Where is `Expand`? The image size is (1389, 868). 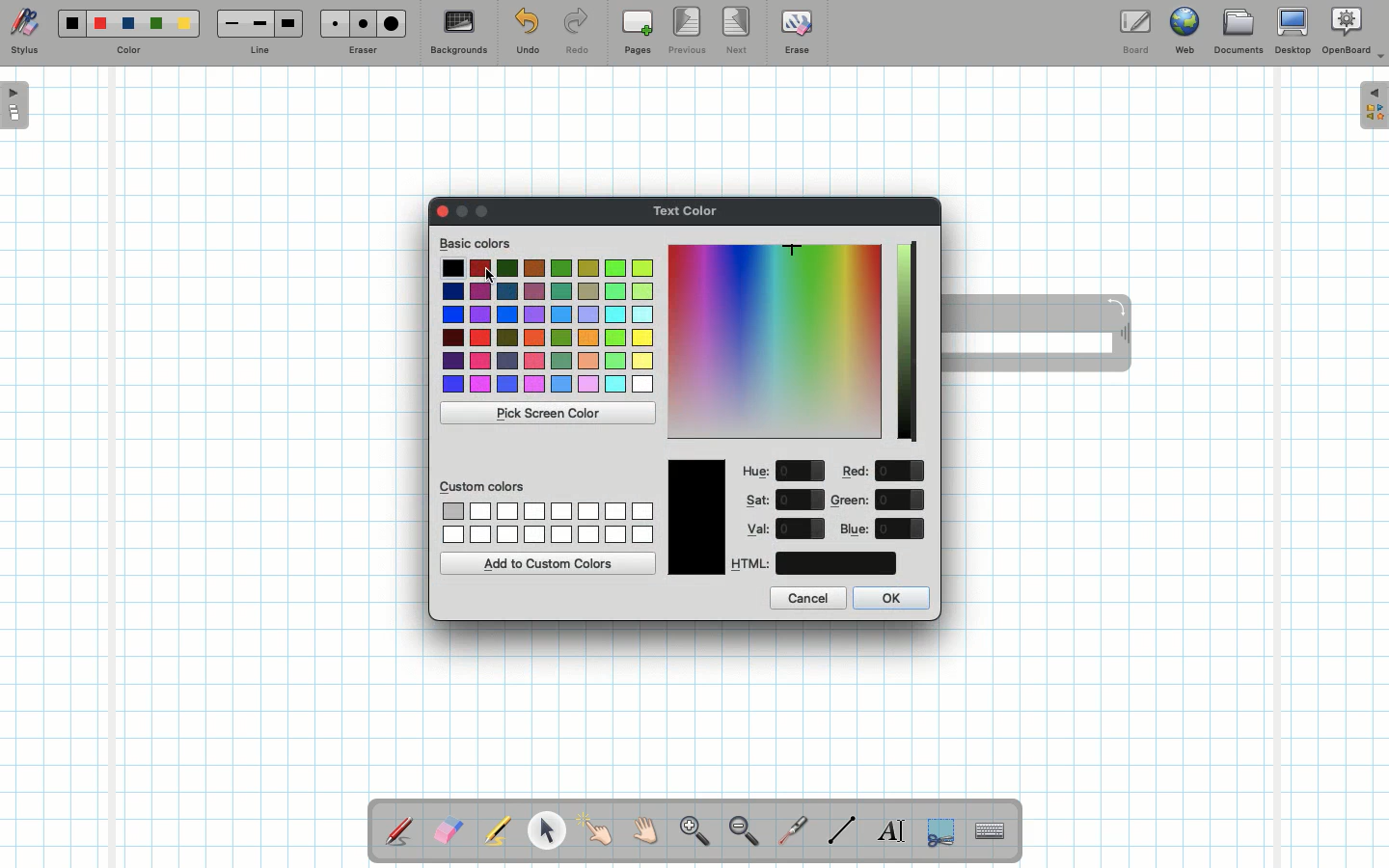 Expand is located at coordinates (1374, 105).